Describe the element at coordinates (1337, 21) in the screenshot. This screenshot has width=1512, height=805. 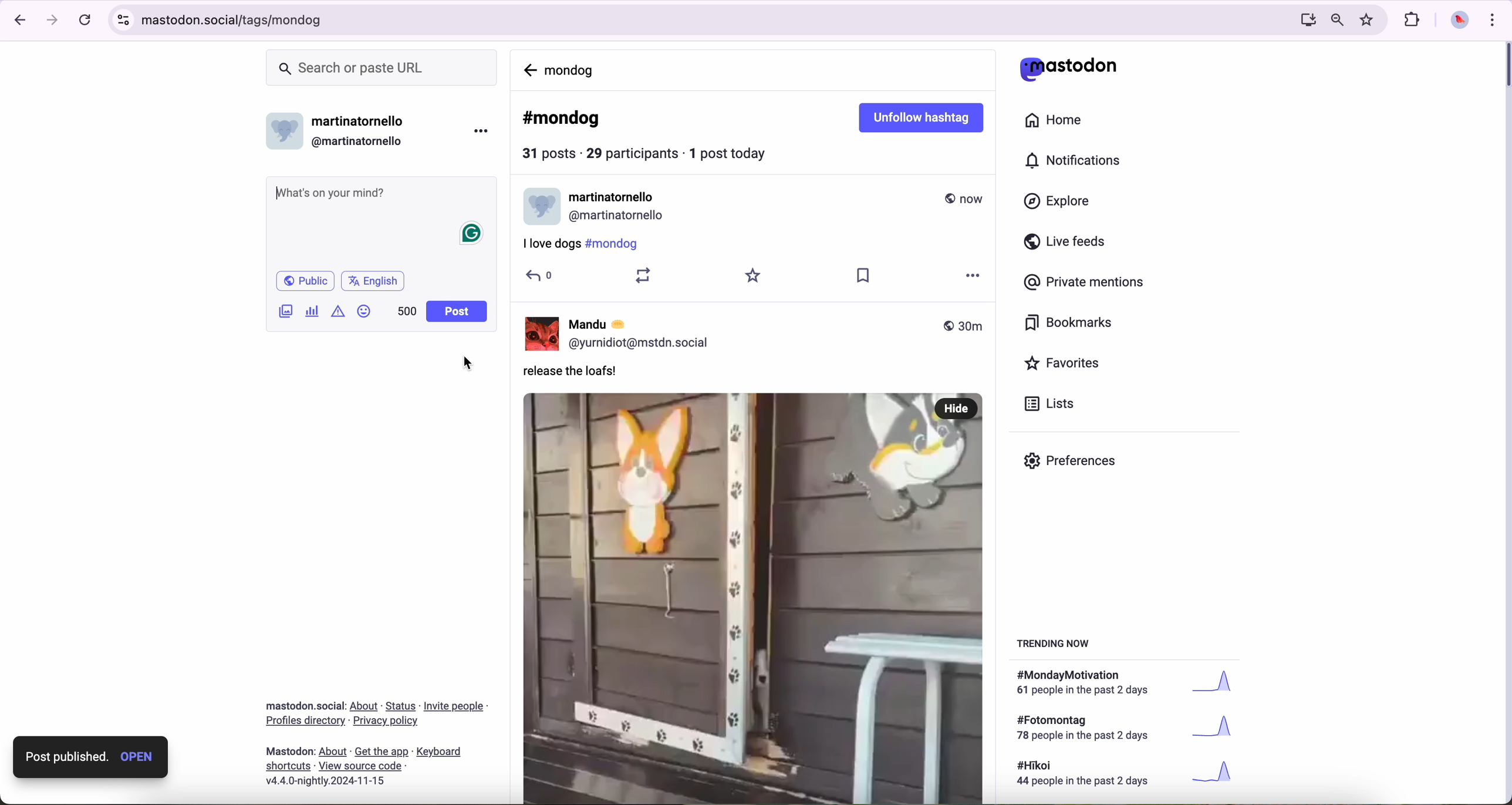
I see `zoom` at that location.